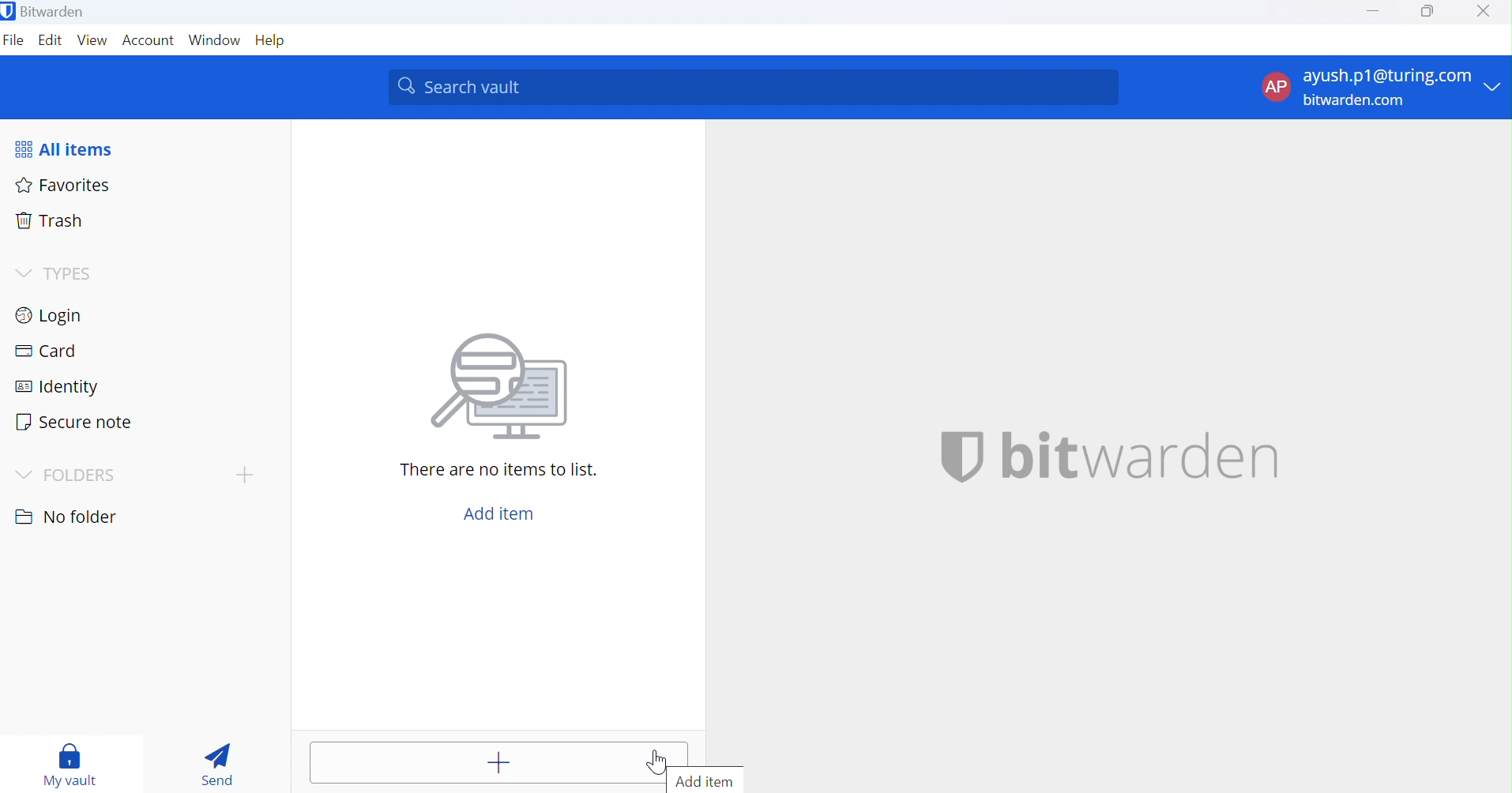  I want to click on bitwarden, so click(1109, 454).